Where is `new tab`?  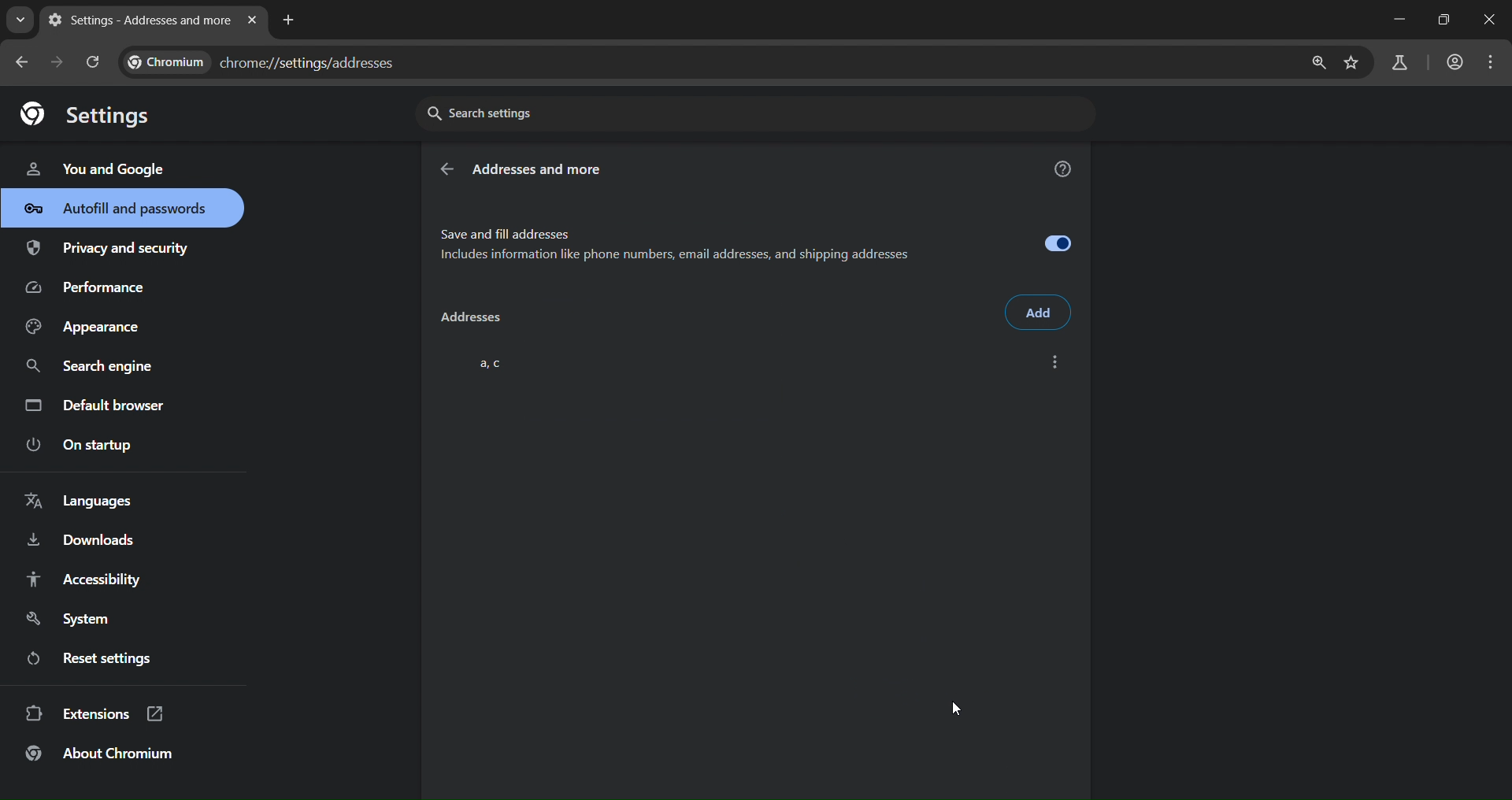
new tab is located at coordinates (289, 18).